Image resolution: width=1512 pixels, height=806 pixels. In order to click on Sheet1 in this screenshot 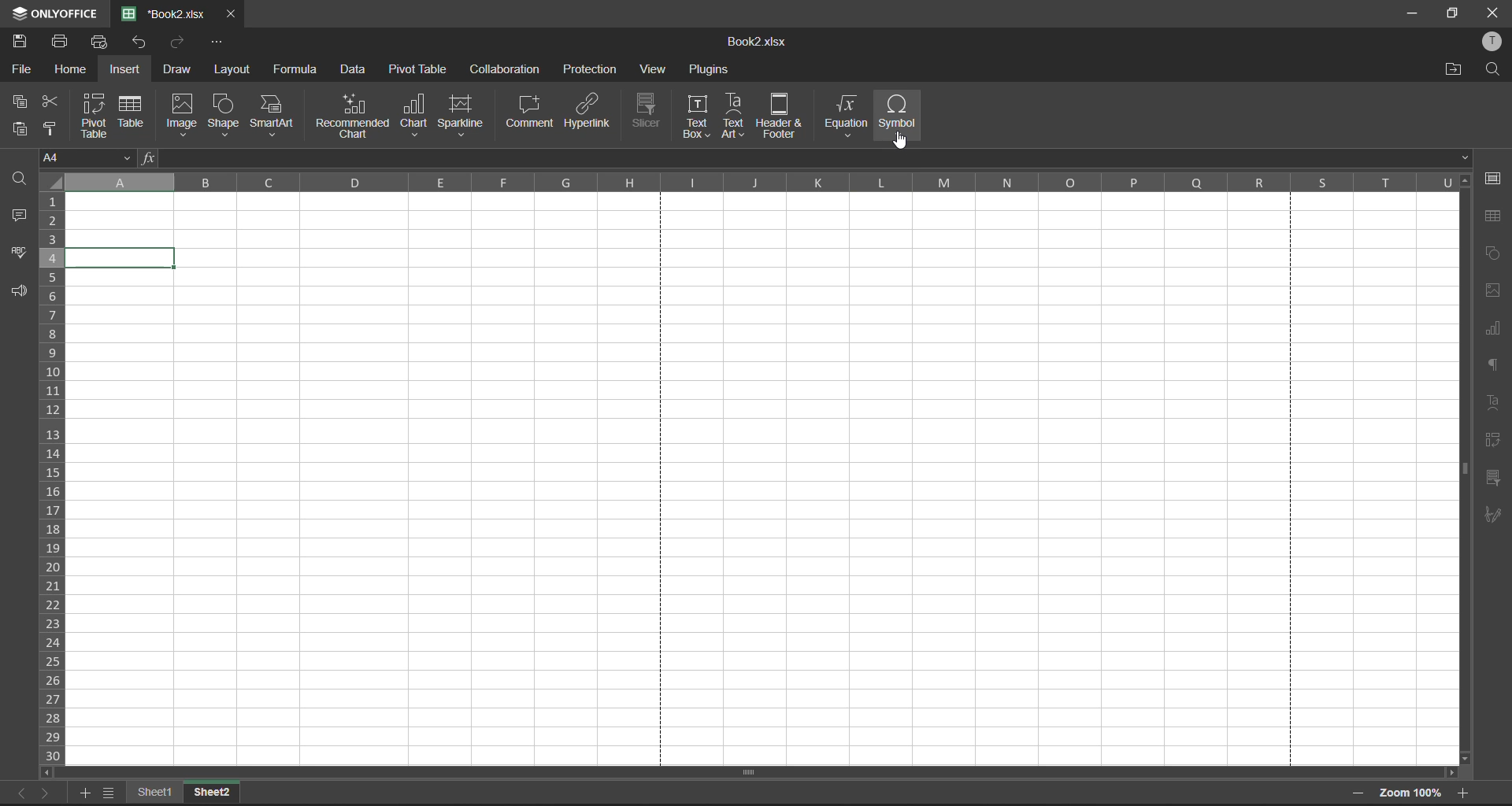, I will do `click(154, 792)`.